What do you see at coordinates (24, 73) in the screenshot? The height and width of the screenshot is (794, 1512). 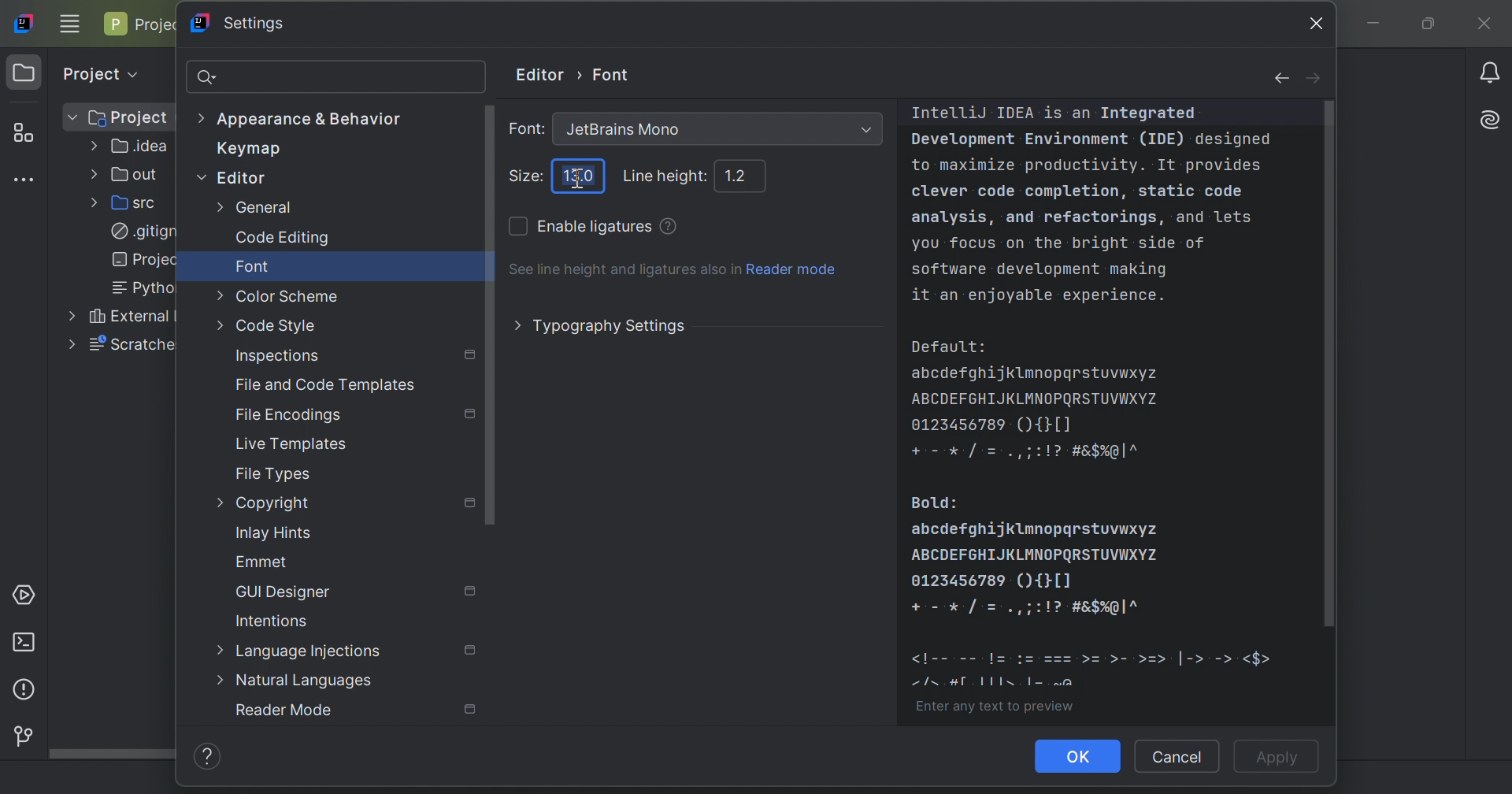 I see `Project` at bounding box center [24, 73].